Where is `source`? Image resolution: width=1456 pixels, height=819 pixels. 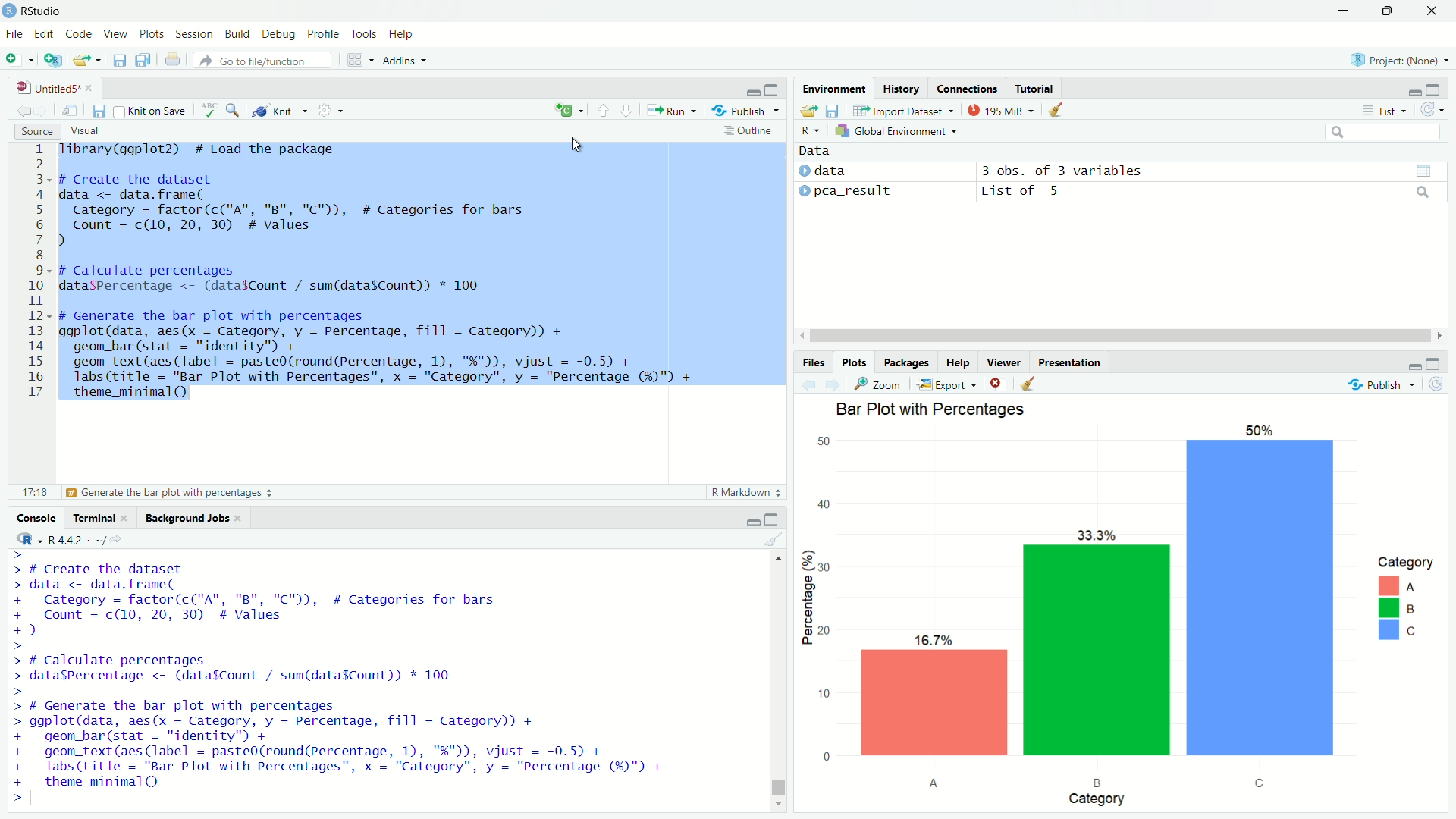 source is located at coordinates (36, 130).